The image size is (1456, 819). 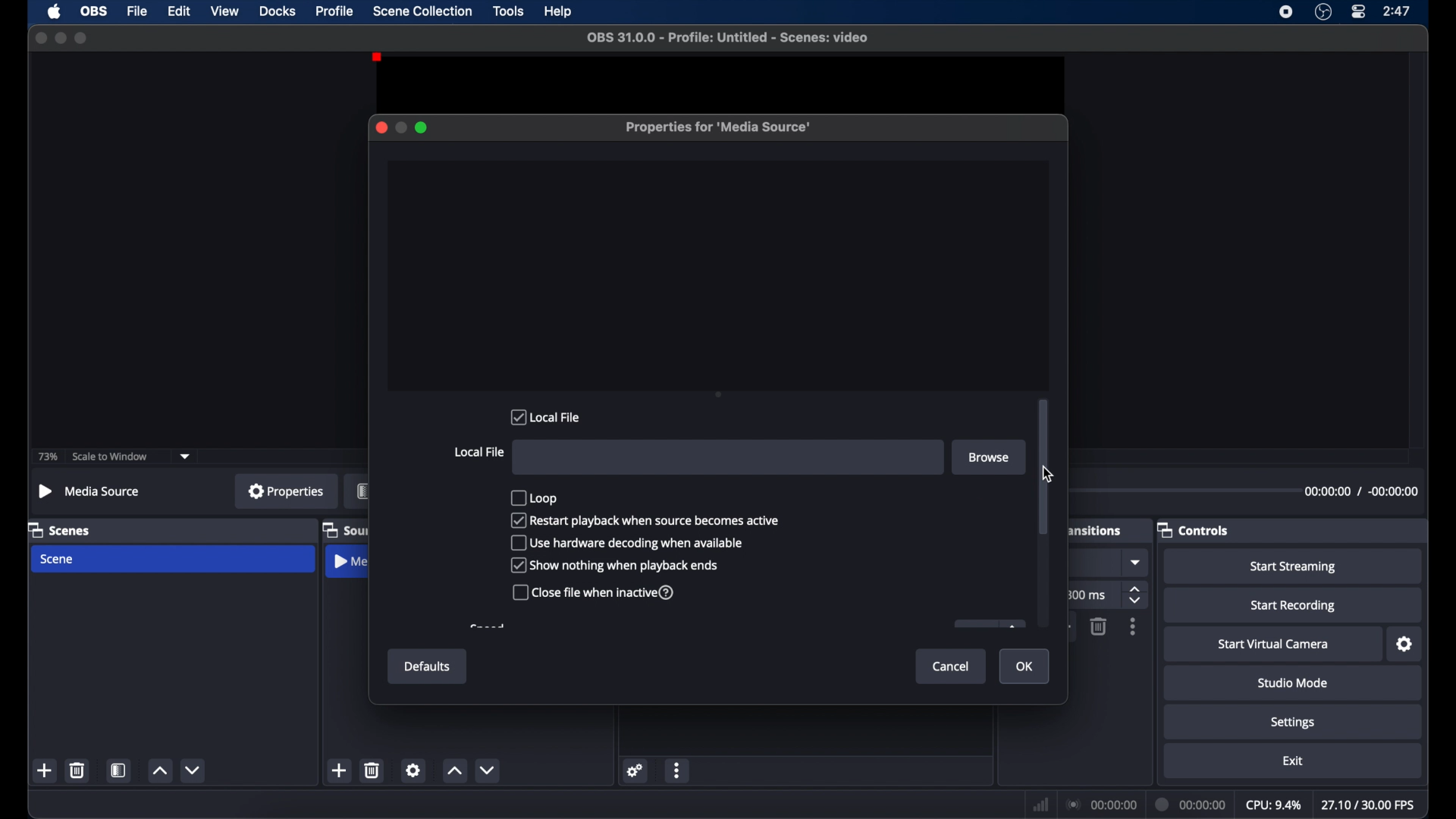 I want to click on scene collection, so click(x=424, y=11).